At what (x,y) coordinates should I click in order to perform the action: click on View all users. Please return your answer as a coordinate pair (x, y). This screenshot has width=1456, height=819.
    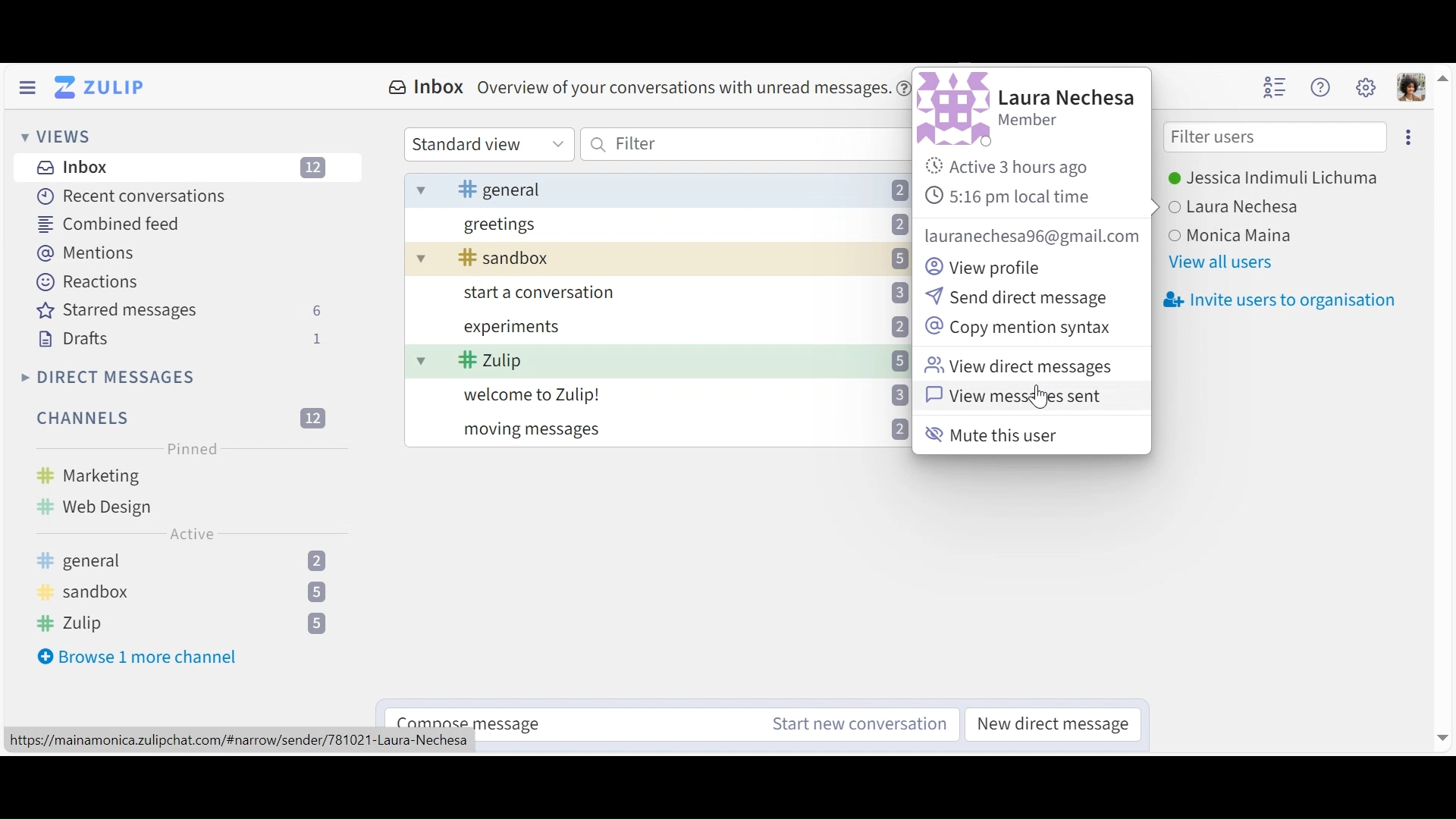
    Looking at the image, I should click on (1221, 263).